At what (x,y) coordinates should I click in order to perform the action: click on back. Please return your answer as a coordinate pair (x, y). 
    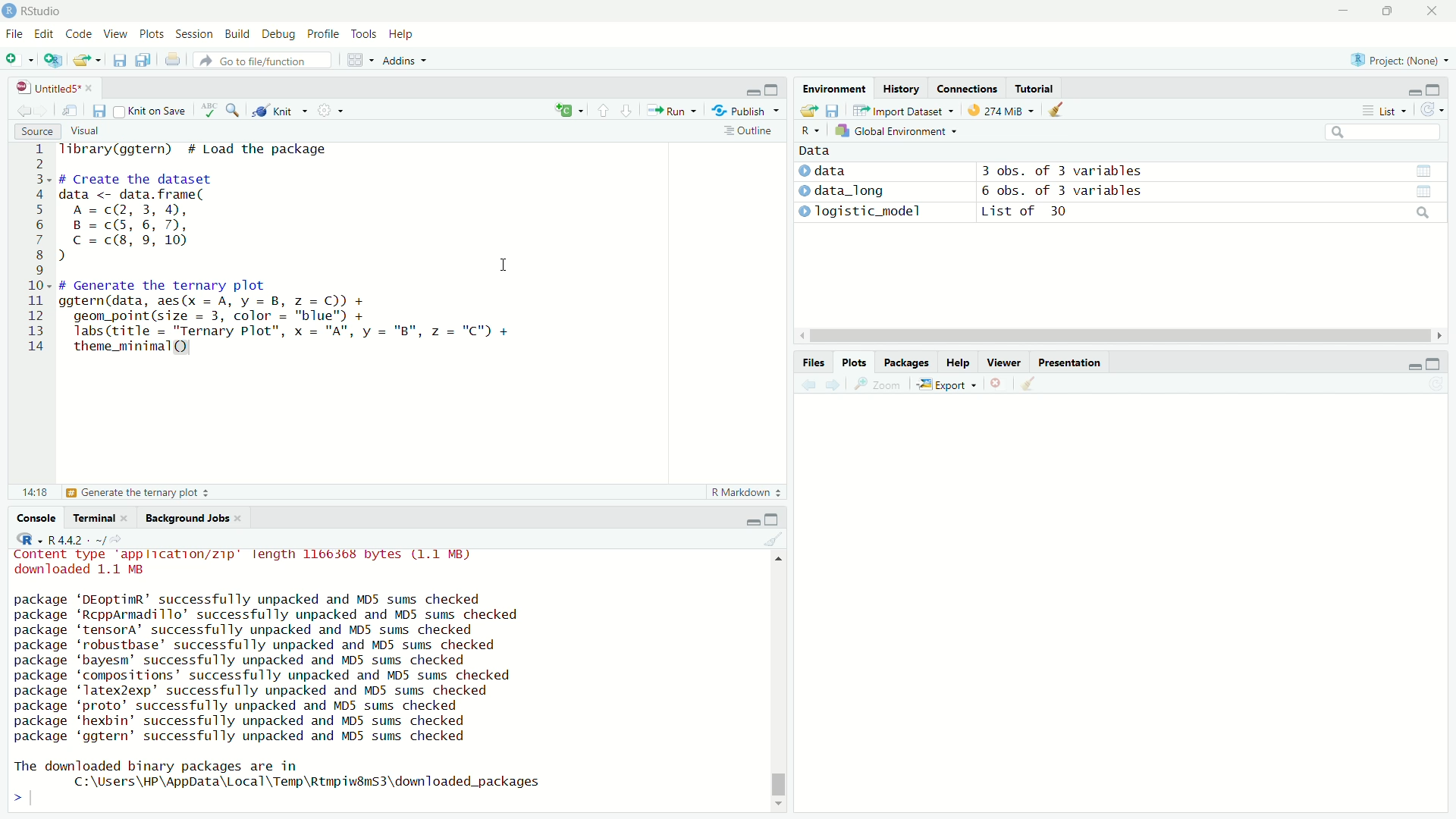
    Looking at the image, I should click on (21, 108).